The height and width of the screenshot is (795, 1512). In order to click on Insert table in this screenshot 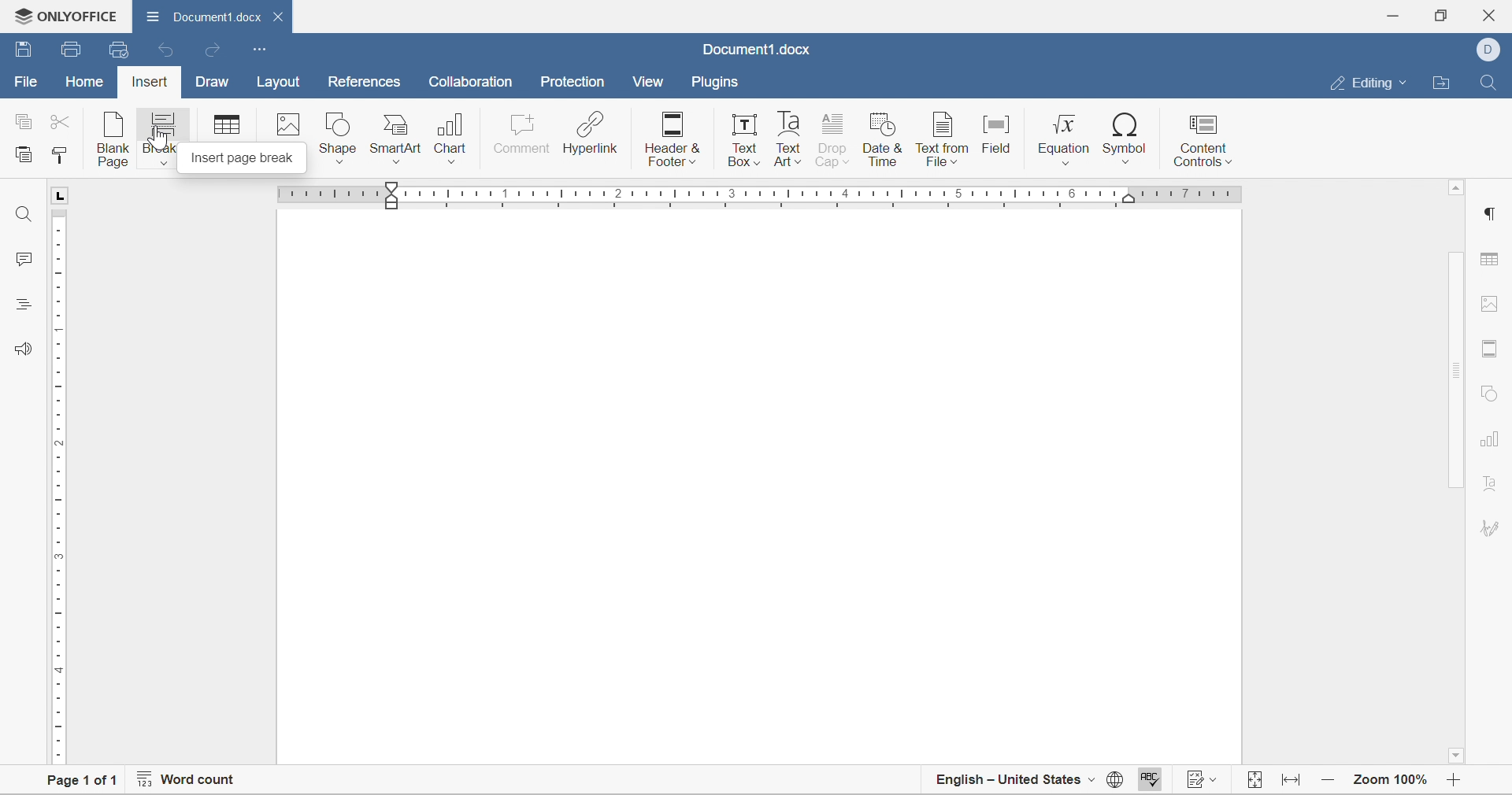, I will do `click(224, 125)`.